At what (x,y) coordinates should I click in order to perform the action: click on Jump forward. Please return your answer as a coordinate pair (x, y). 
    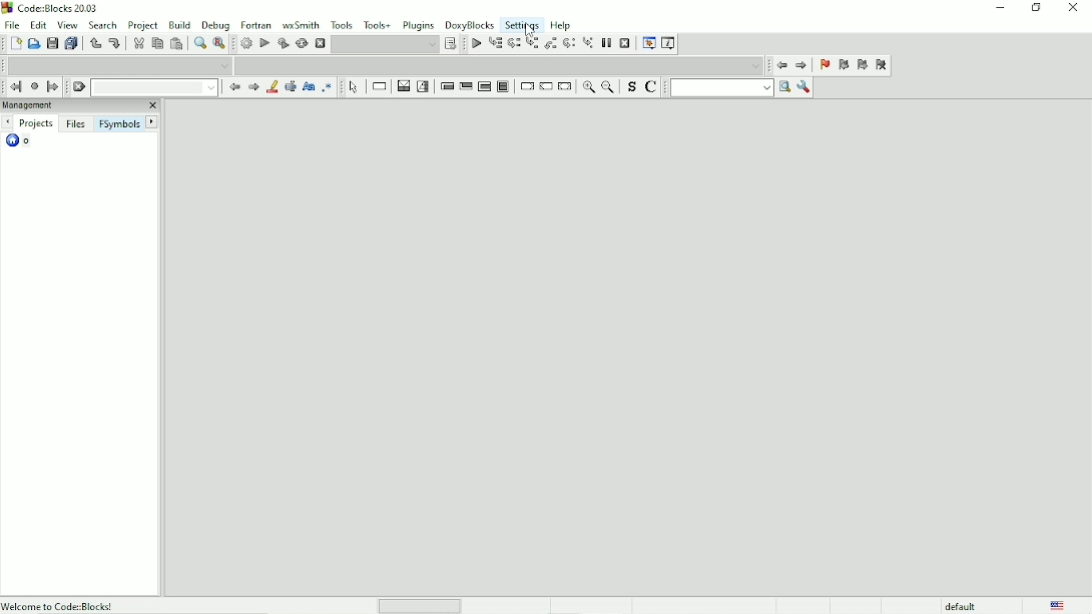
    Looking at the image, I should click on (801, 65).